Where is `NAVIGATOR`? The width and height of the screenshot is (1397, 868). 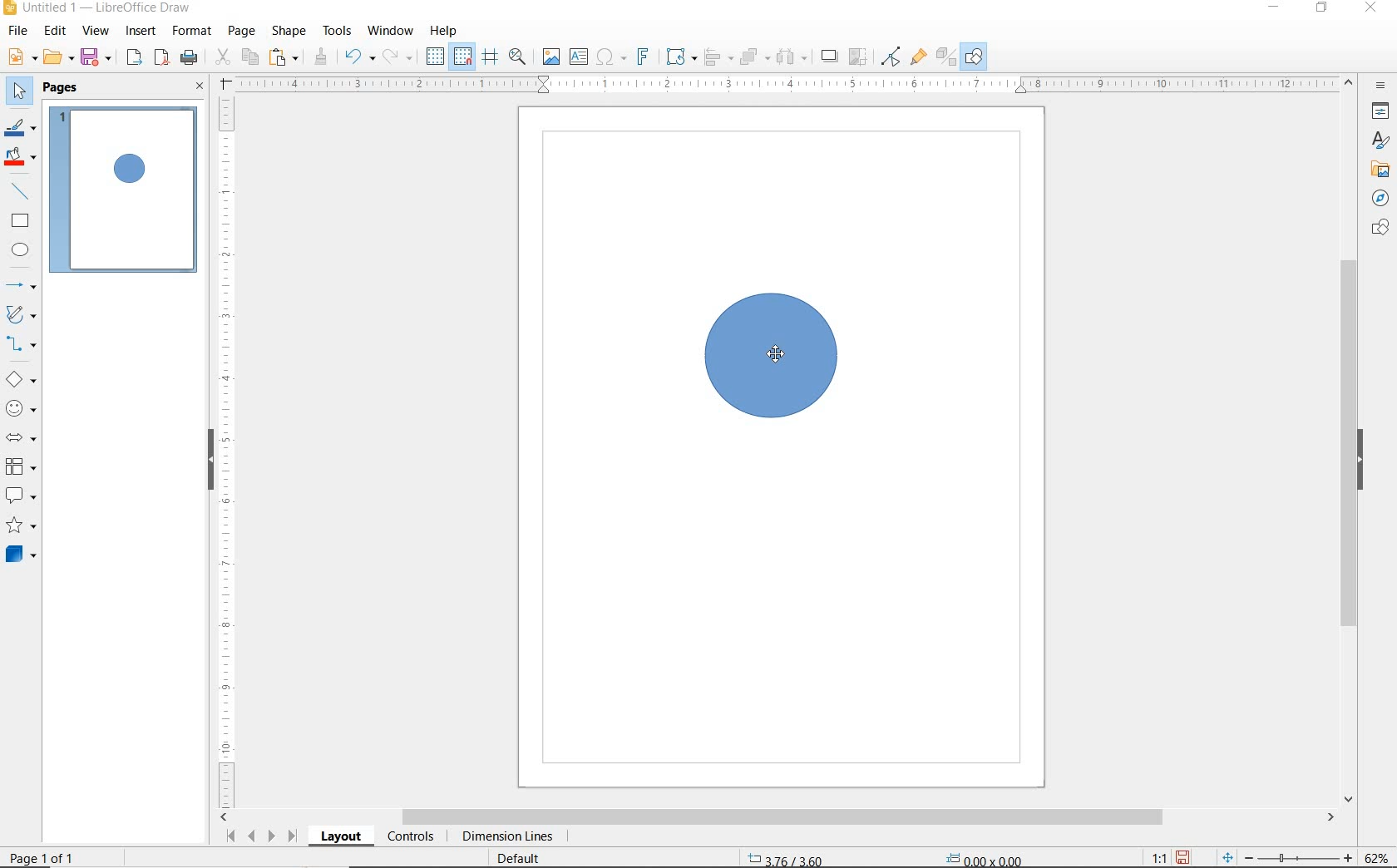
NAVIGATOR is located at coordinates (1378, 199).